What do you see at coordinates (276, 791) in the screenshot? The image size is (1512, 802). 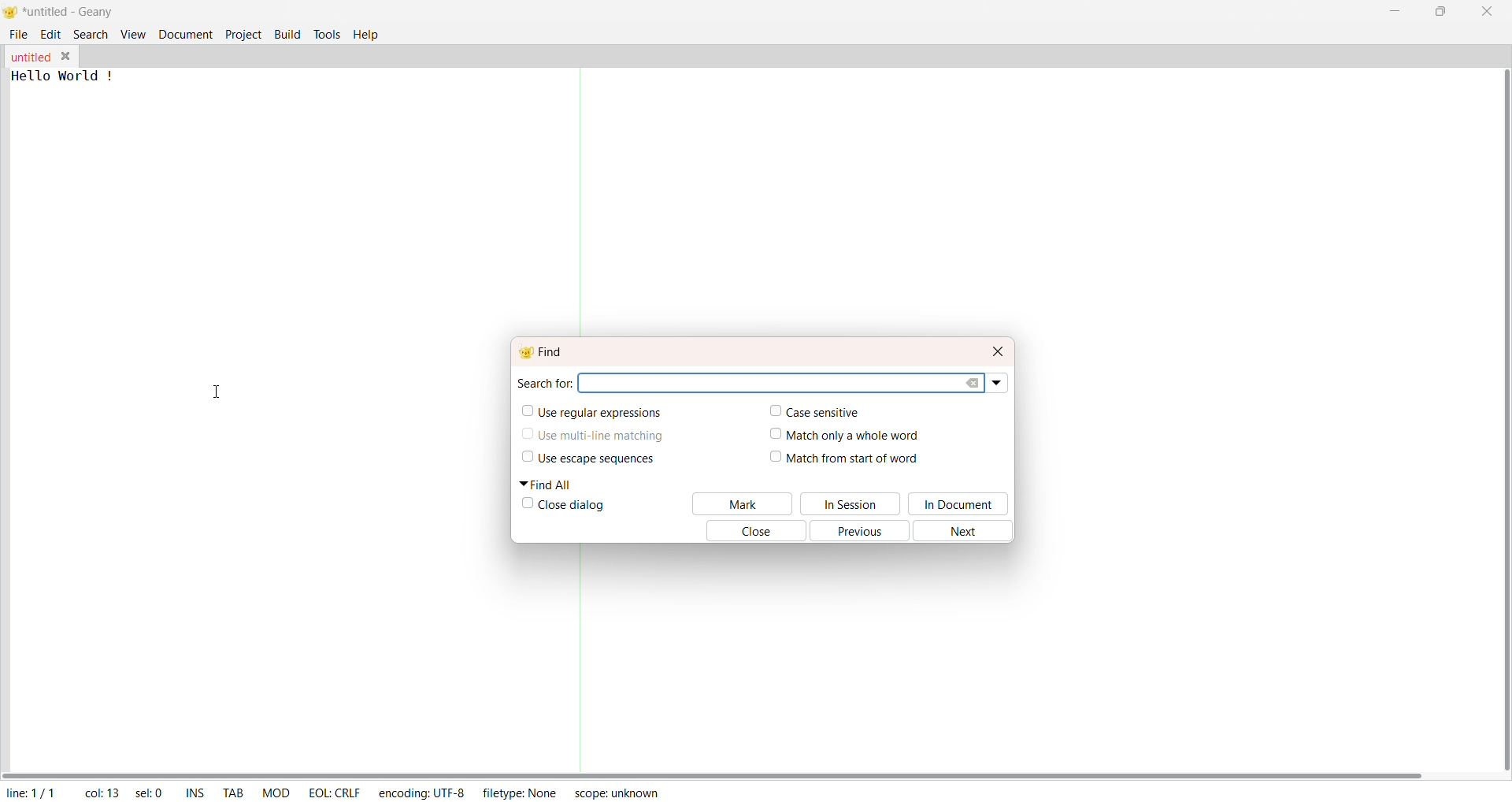 I see `MOD` at bounding box center [276, 791].